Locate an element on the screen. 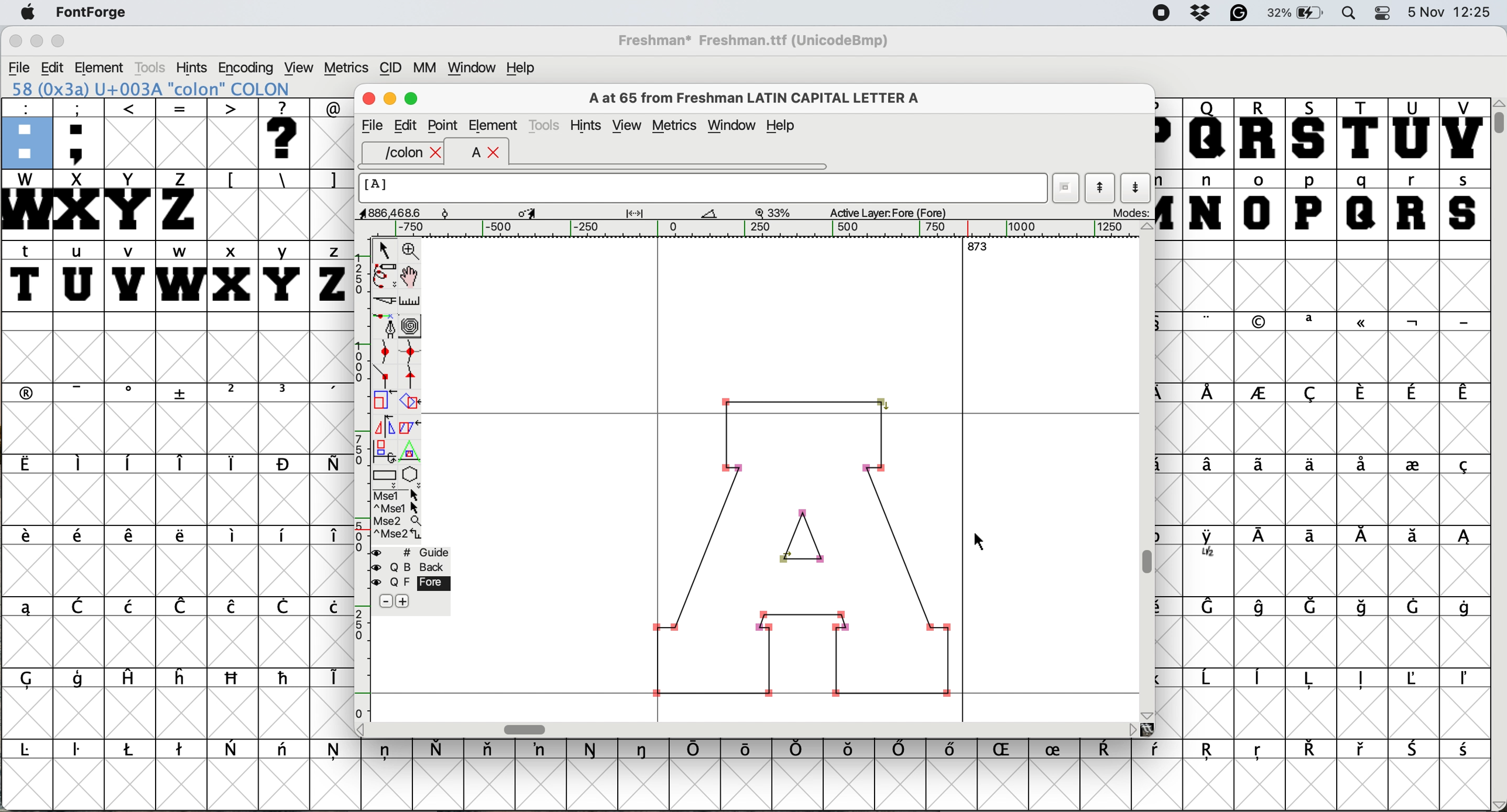 The width and height of the screenshot is (1507, 812). add a comer point is located at coordinates (383, 377).